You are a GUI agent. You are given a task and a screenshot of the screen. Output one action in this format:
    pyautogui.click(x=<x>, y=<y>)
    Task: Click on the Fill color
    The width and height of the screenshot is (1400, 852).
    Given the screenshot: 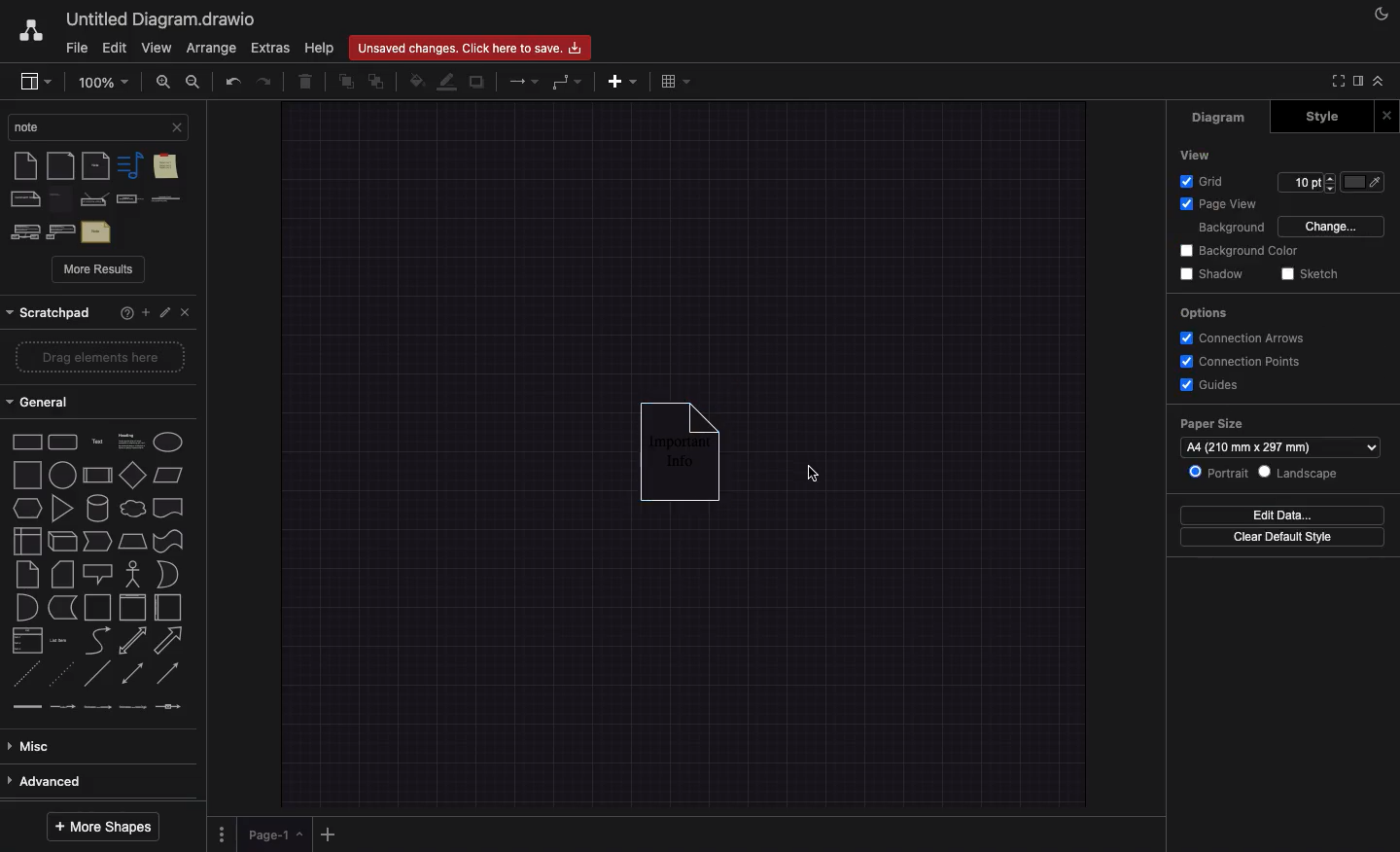 What is the action you would take?
    pyautogui.click(x=416, y=82)
    